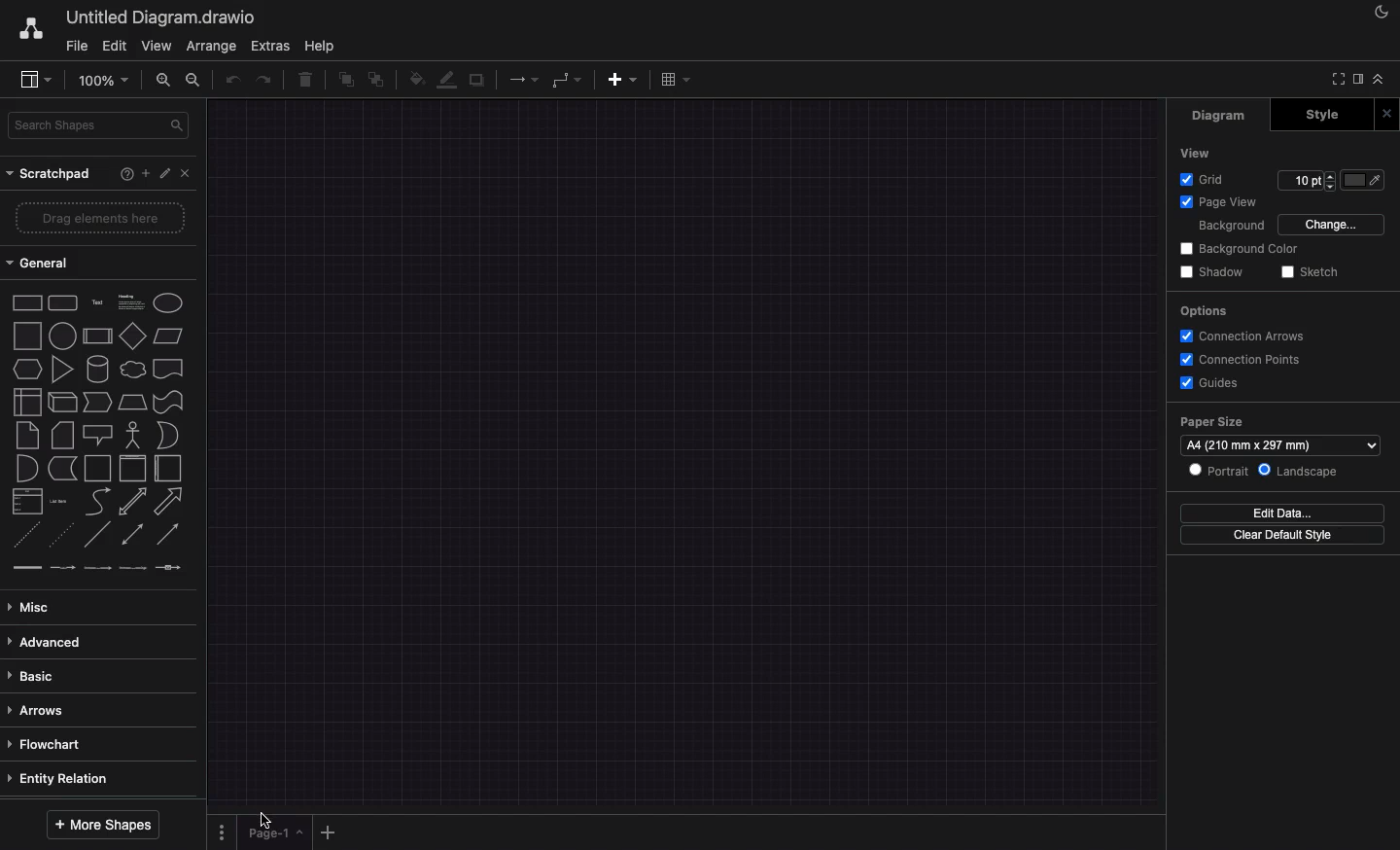 The image size is (1400, 850). I want to click on cursor, so click(265, 821).